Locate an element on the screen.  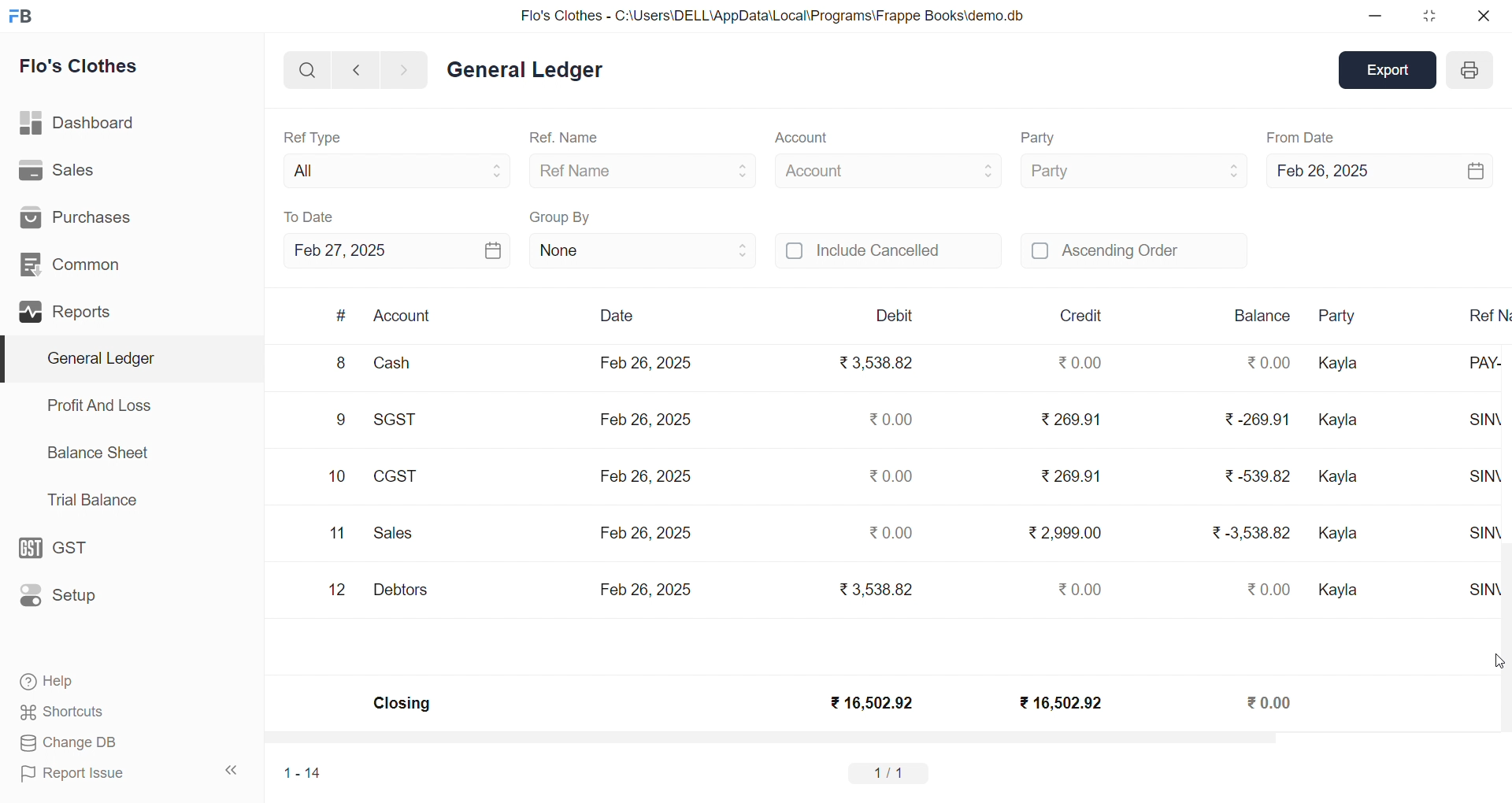
Trial Balance is located at coordinates (94, 501).